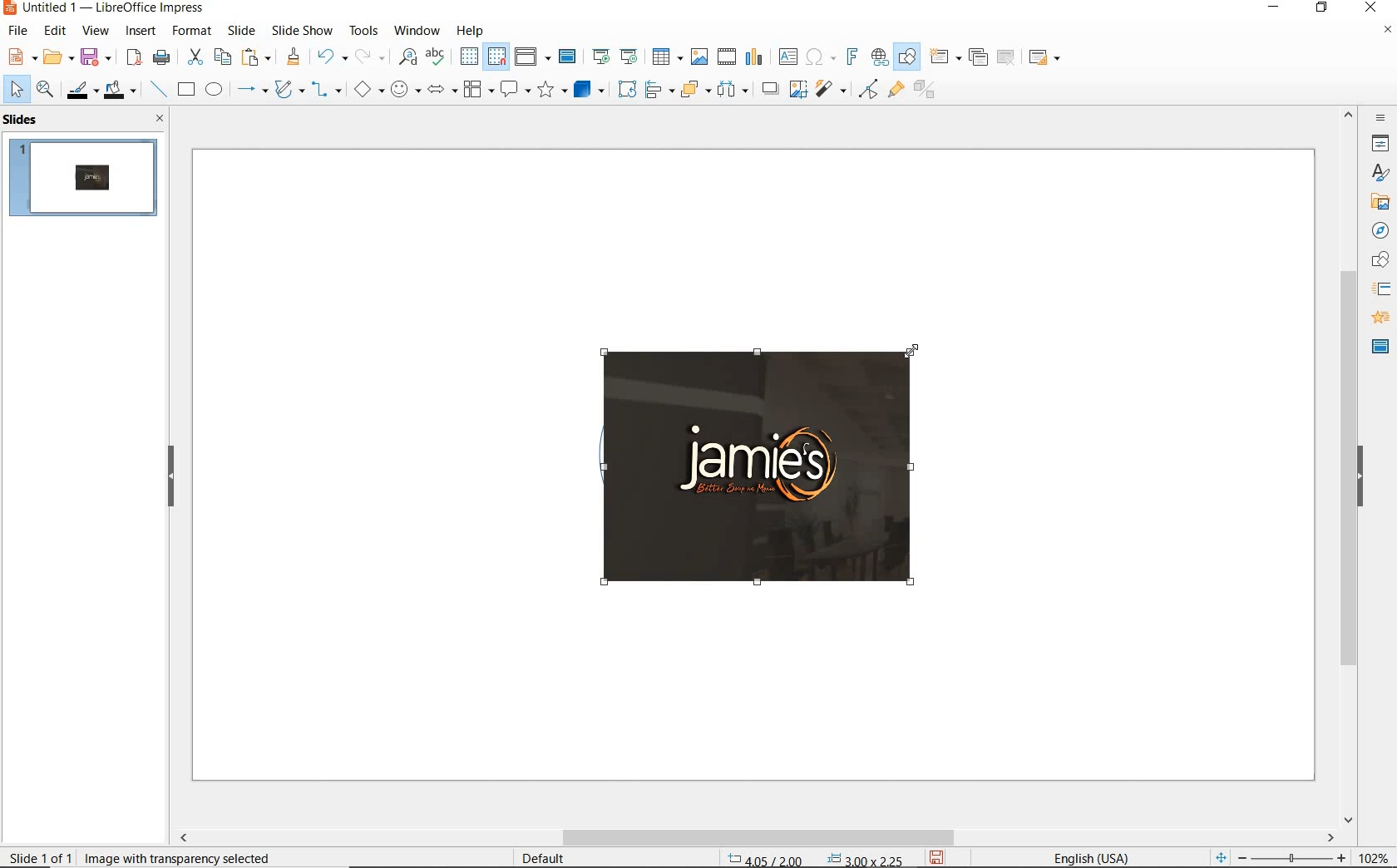  Describe the element at coordinates (1370, 8) in the screenshot. I see `close` at that location.